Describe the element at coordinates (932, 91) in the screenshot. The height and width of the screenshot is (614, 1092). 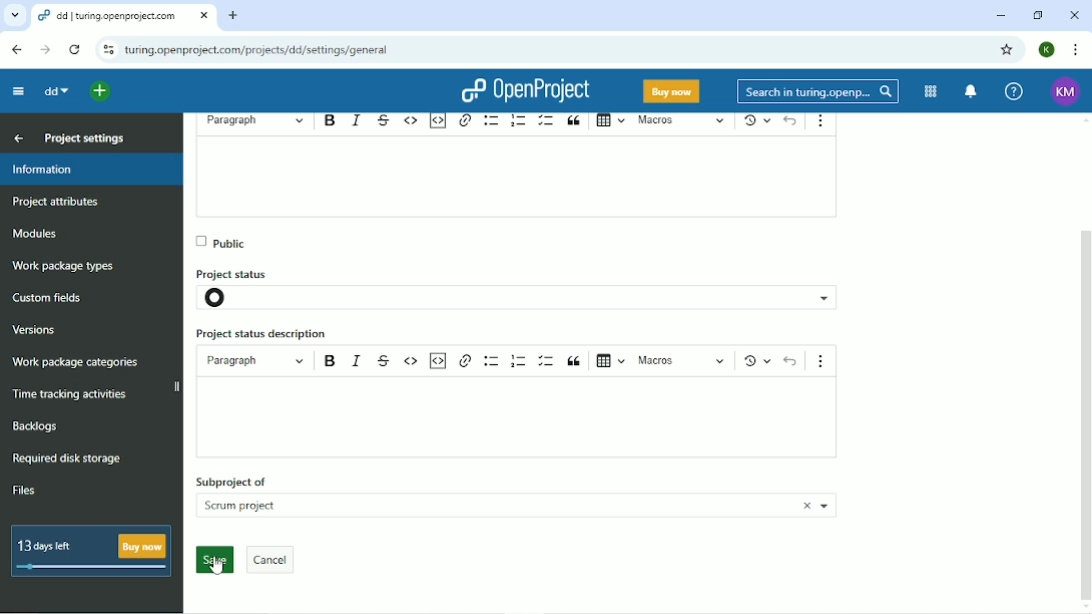
I see `Modules` at that location.